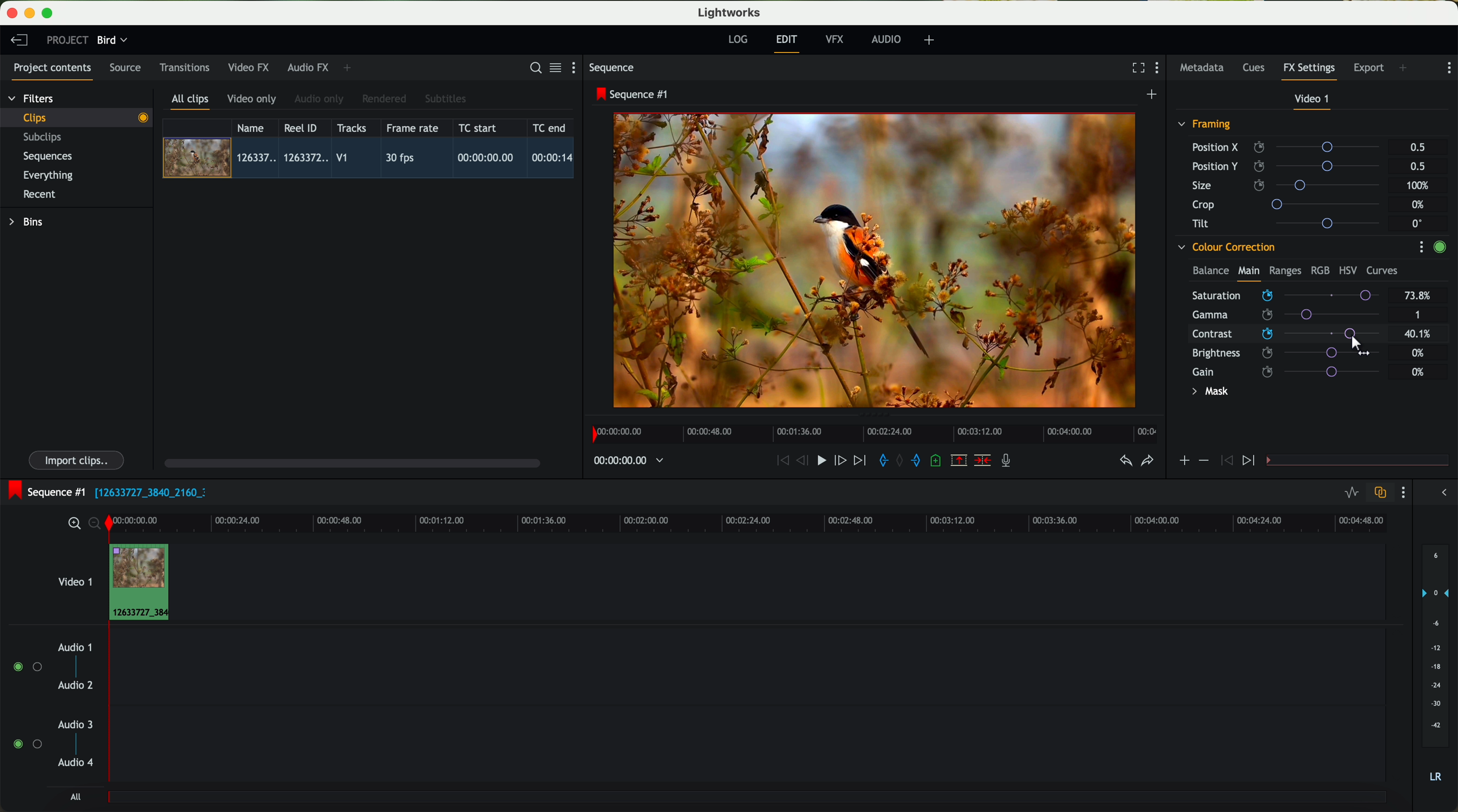 Image resolution: width=1458 pixels, height=812 pixels. Describe the element at coordinates (1293, 371) in the screenshot. I see `gain` at that location.